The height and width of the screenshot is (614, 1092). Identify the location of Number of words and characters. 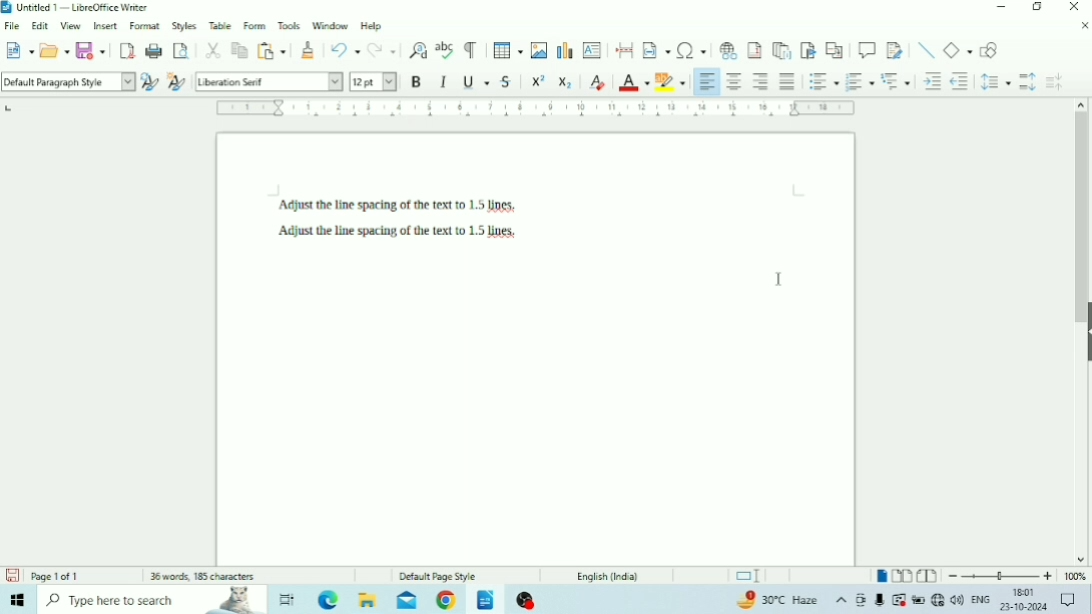
(222, 575).